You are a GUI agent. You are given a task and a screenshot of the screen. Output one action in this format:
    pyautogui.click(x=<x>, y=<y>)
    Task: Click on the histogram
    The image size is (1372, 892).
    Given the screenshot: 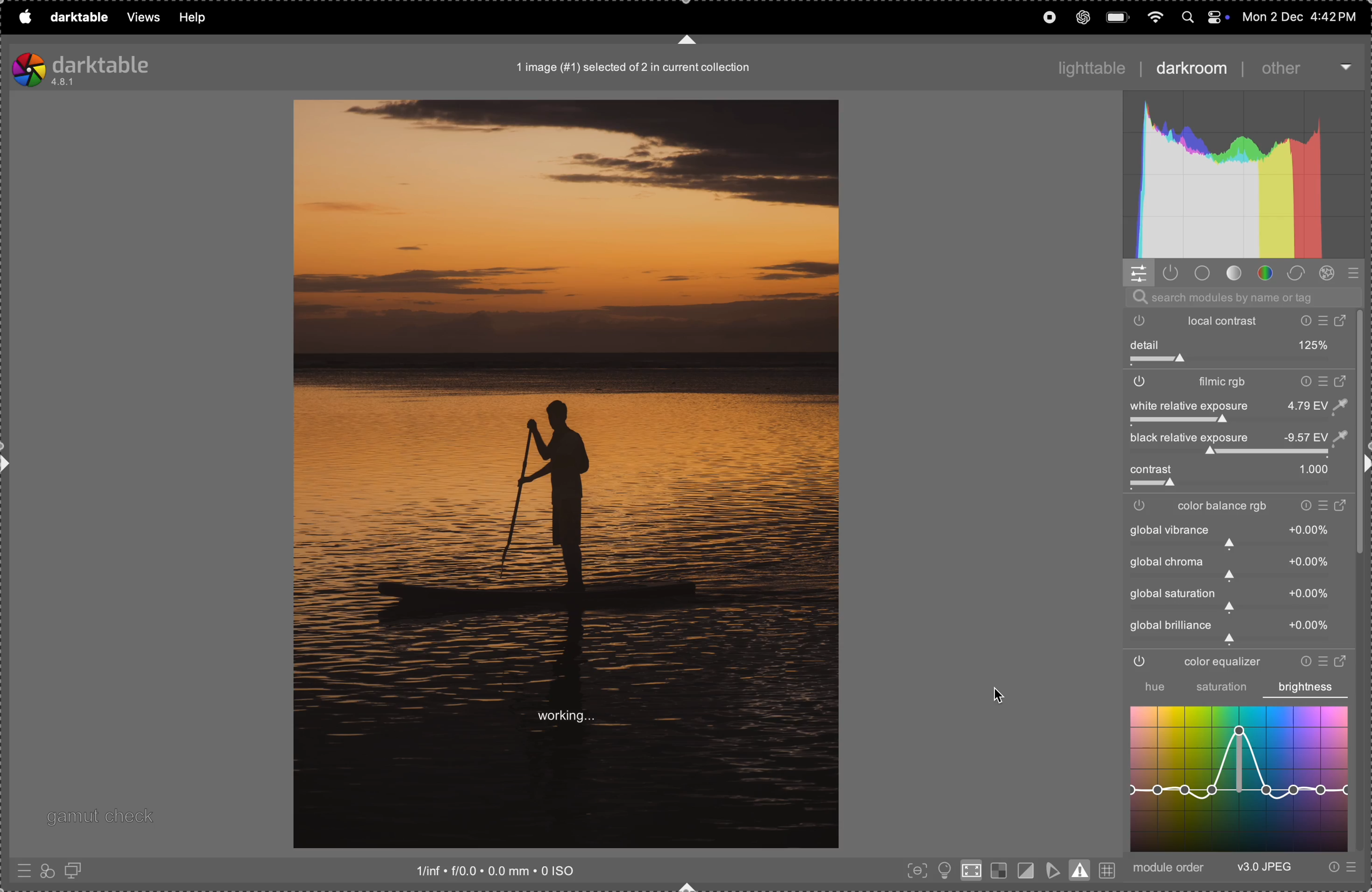 What is the action you would take?
    pyautogui.click(x=1245, y=176)
    